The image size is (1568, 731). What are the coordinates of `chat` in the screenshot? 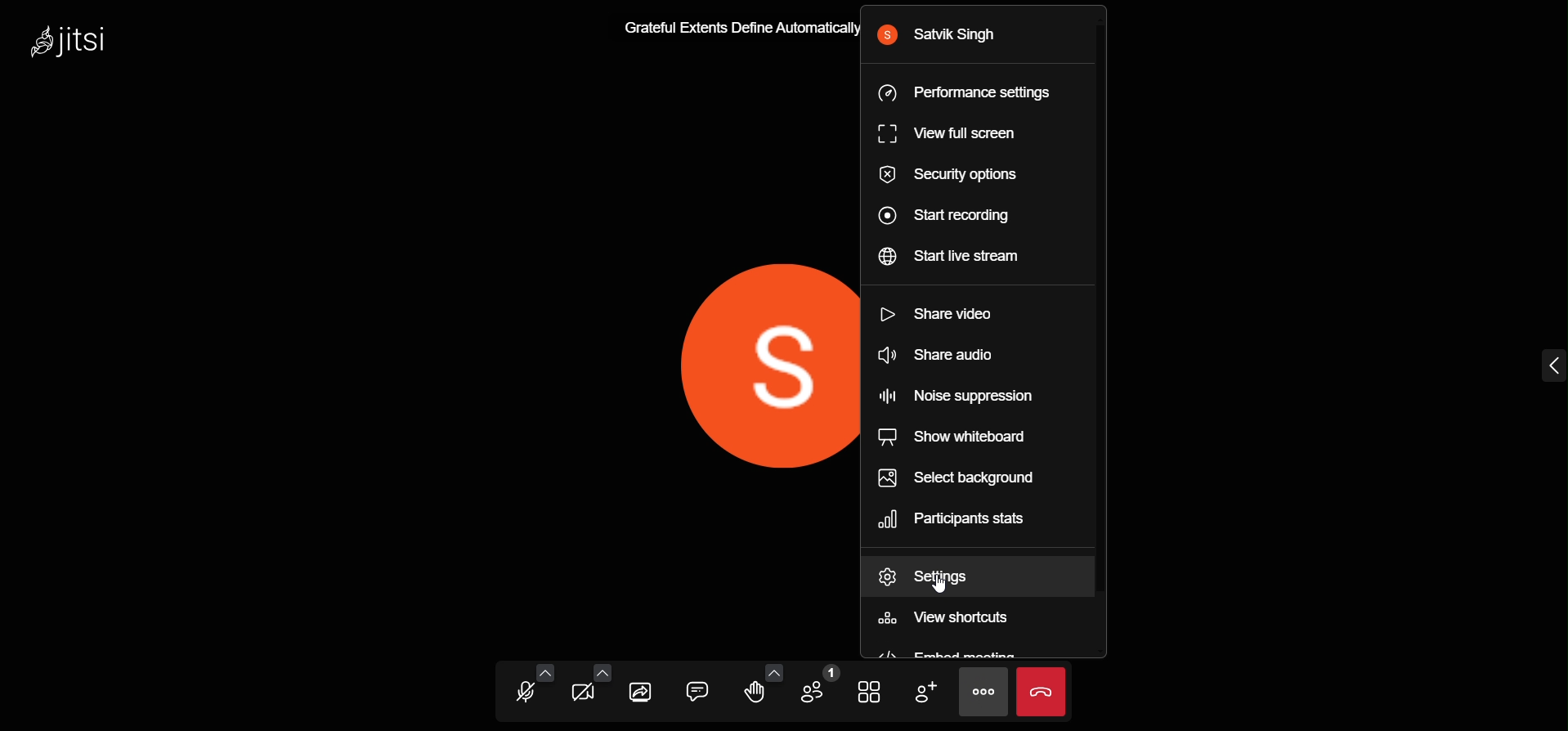 It's located at (692, 691).